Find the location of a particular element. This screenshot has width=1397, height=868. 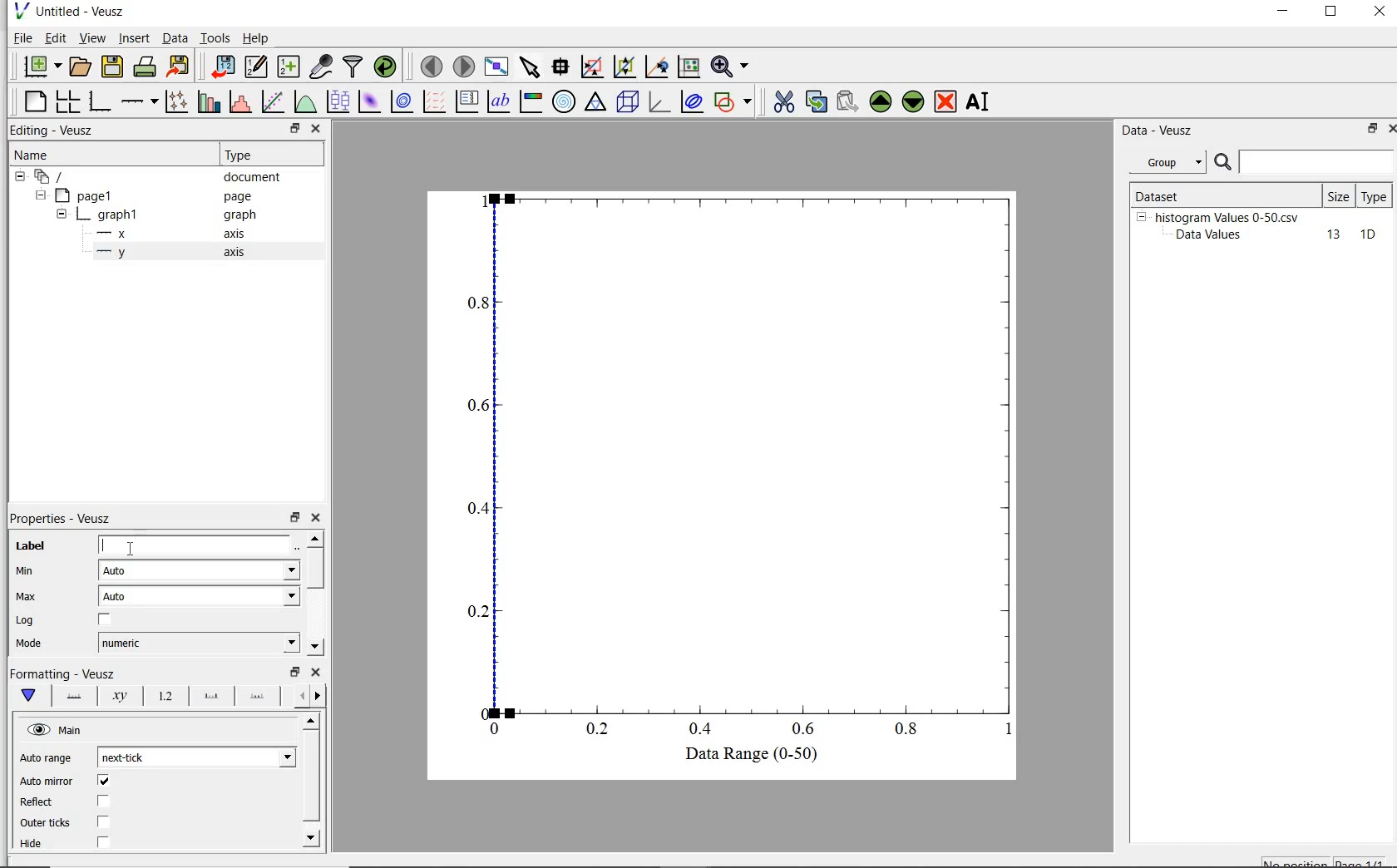

move down the selected widget is located at coordinates (913, 104).